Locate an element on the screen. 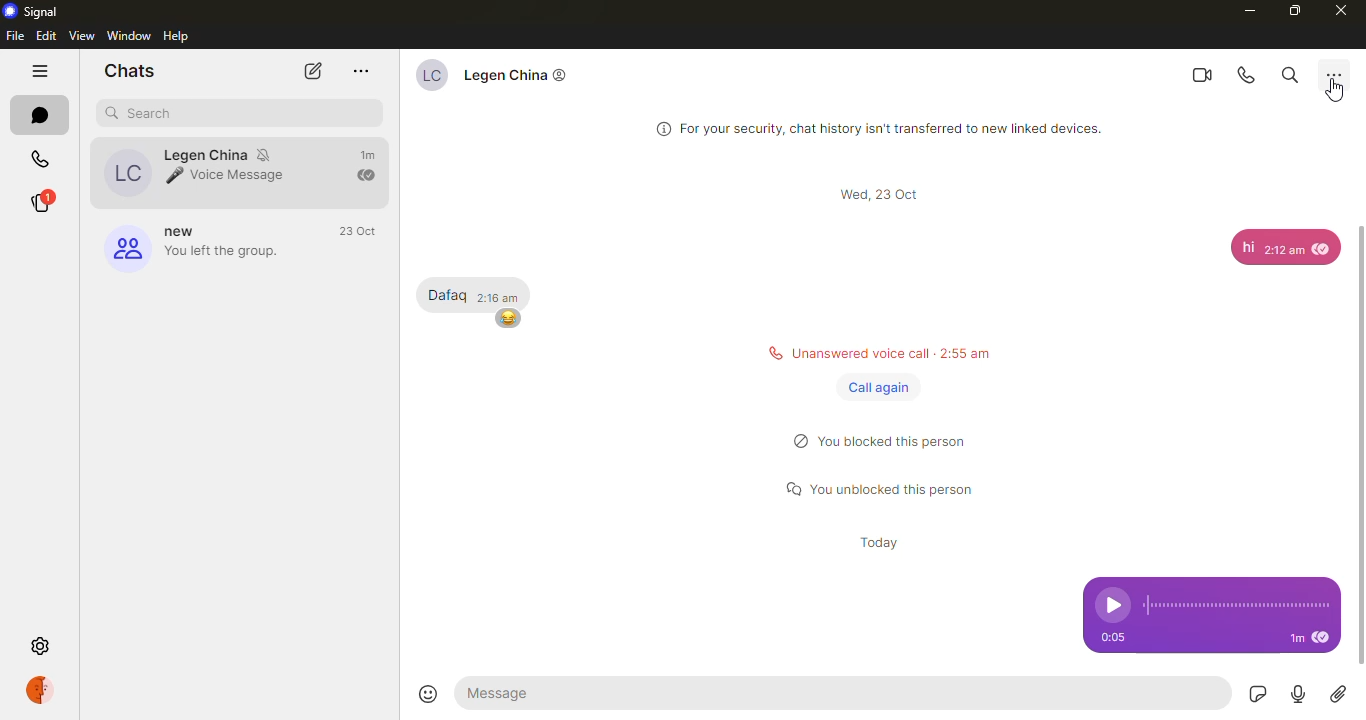 The width and height of the screenshot is (1366, 720). profile is located at coordinates (46, 691).